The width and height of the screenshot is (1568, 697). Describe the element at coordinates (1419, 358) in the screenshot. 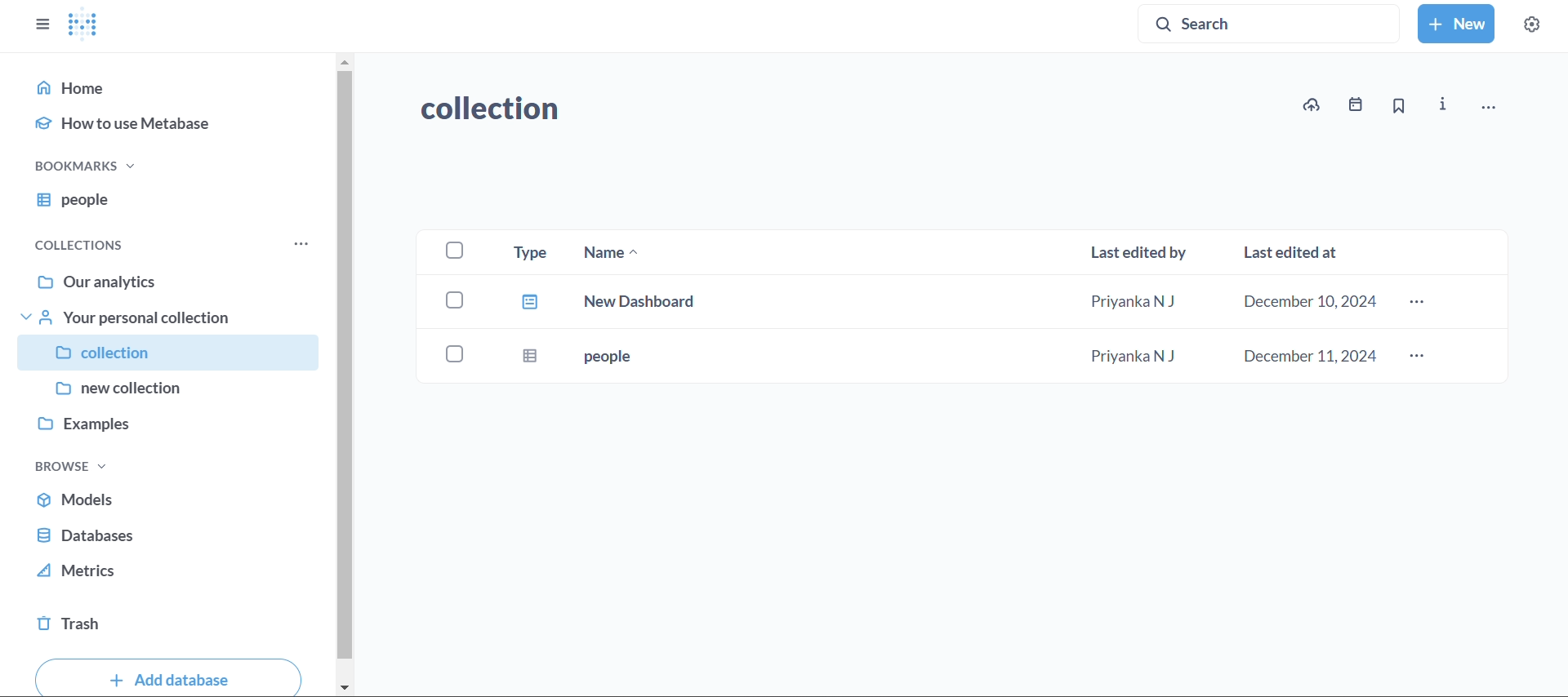

I see `more` at that location.